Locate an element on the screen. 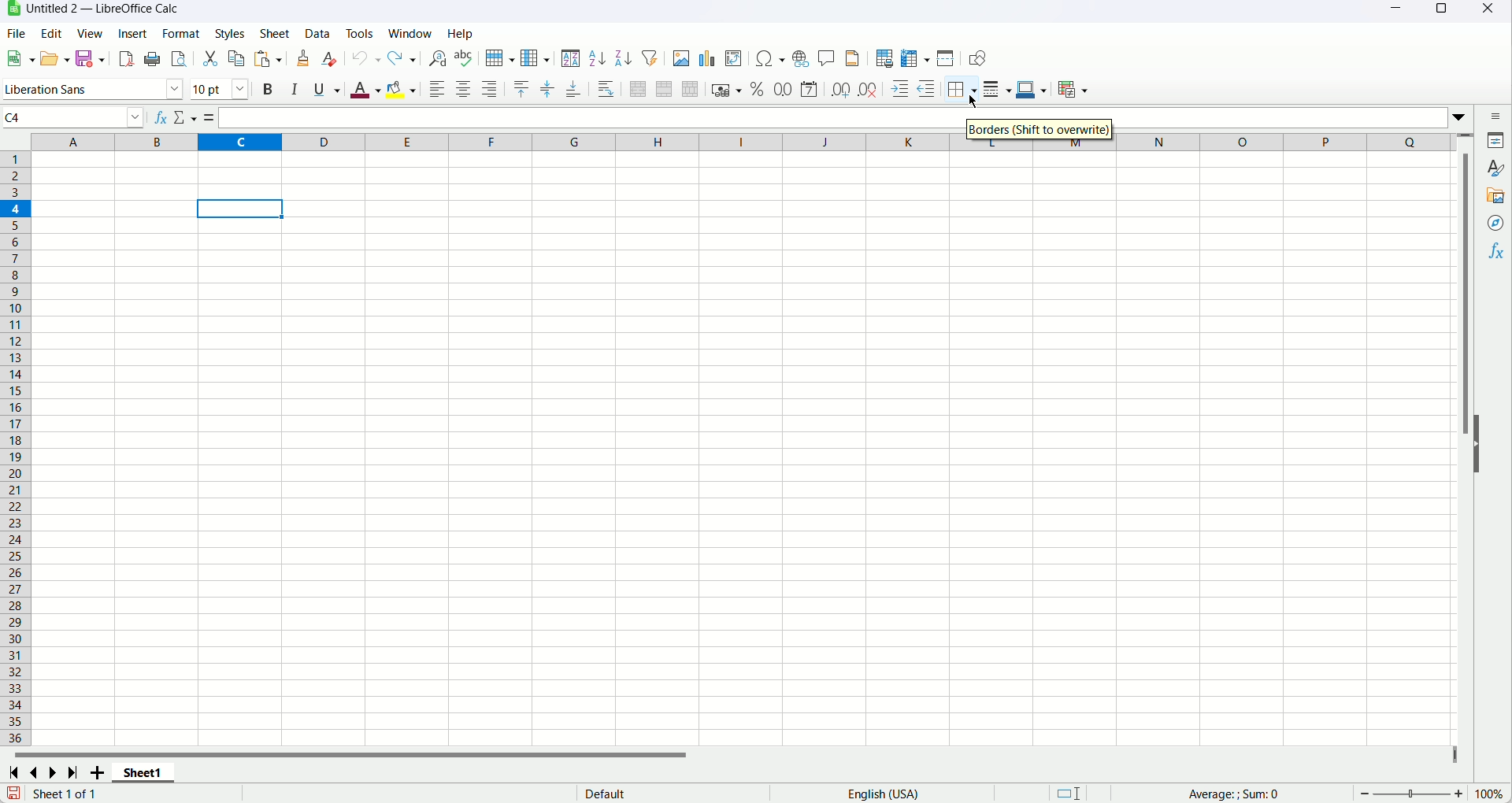  Vertical scroll bar is located at coordinates (1467, 442).